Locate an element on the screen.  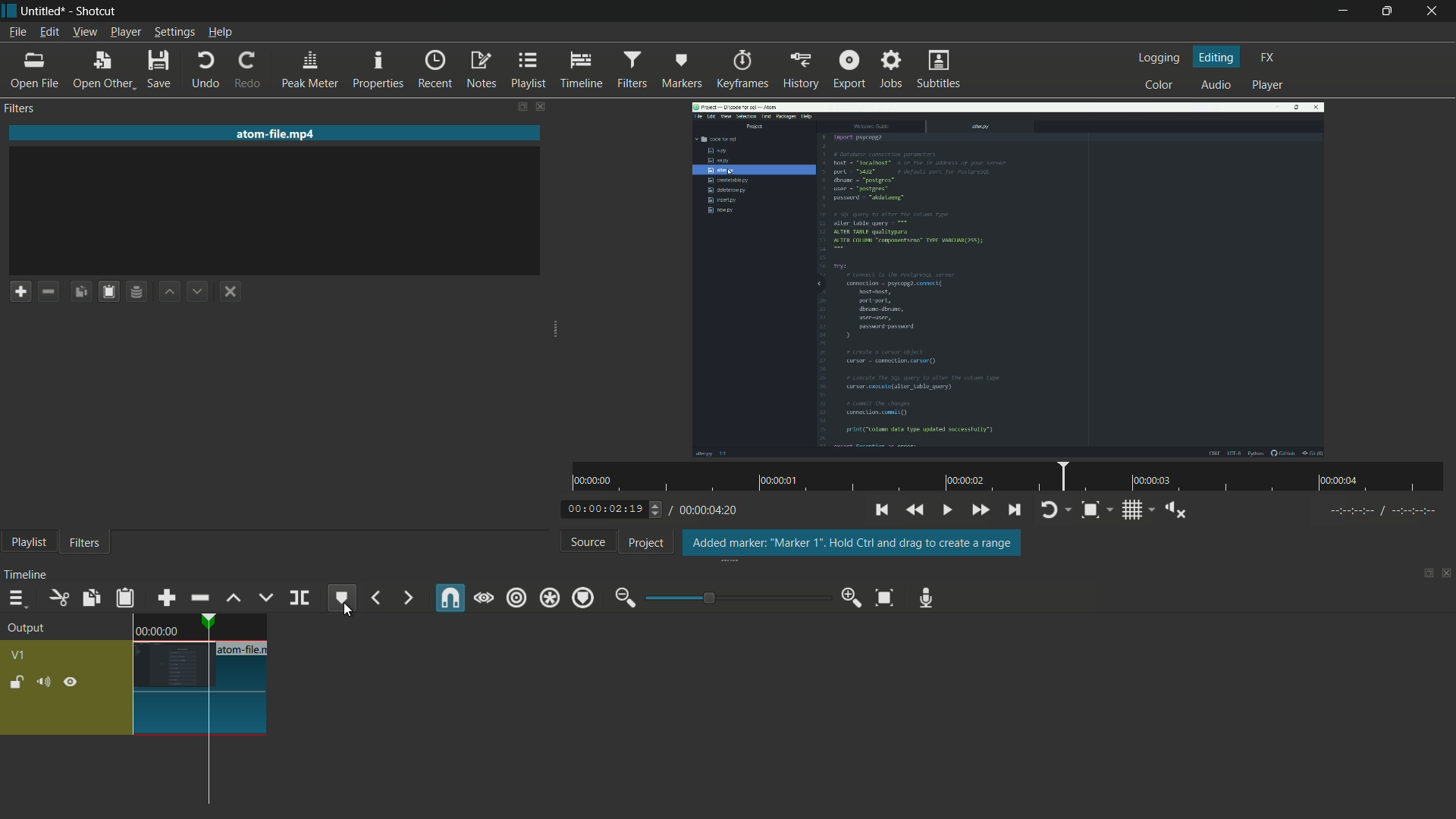
snap is located at coordinates (451, 597).